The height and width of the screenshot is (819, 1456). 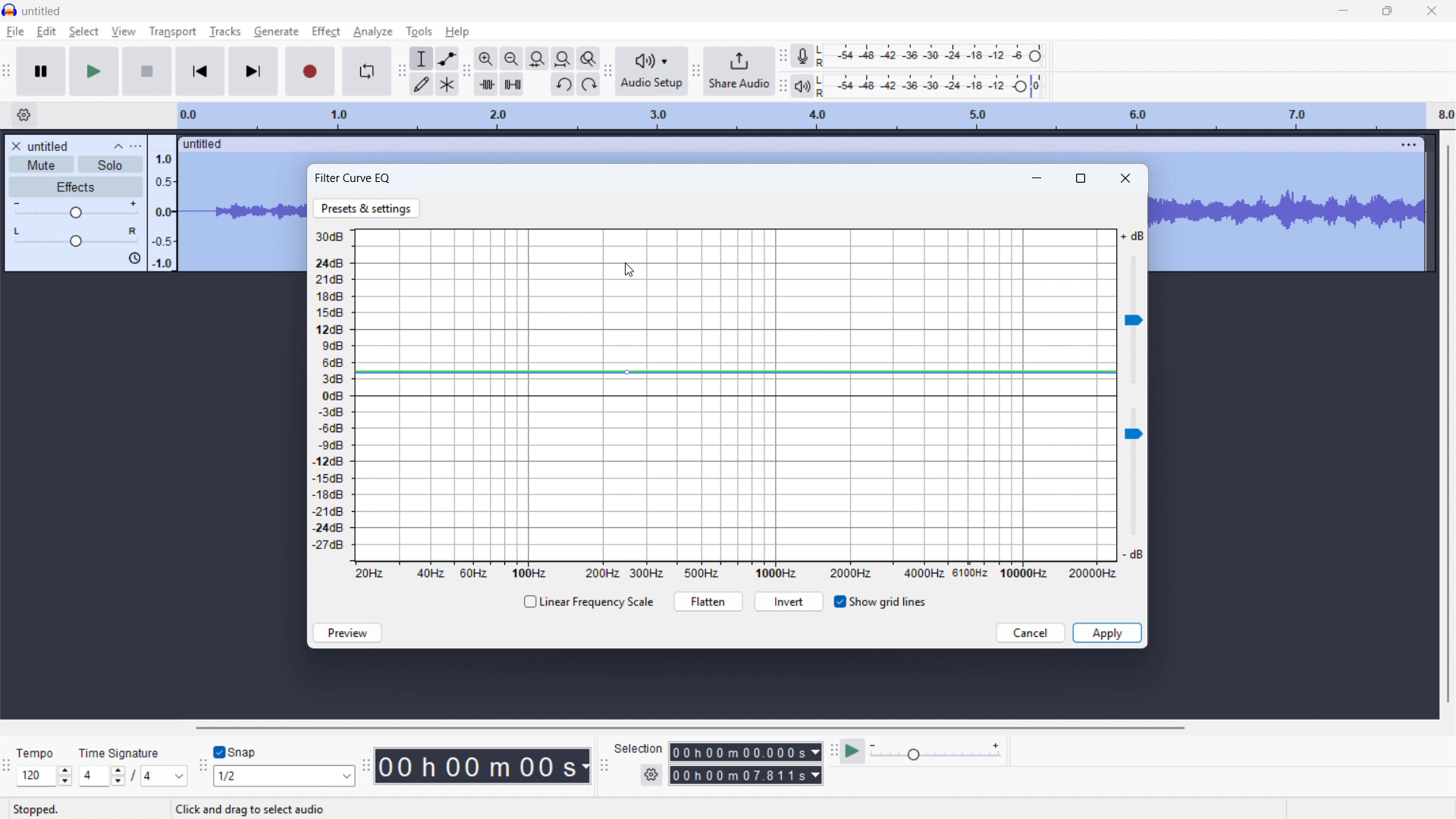 I want to click on cursor, so click(x=629, y=269).